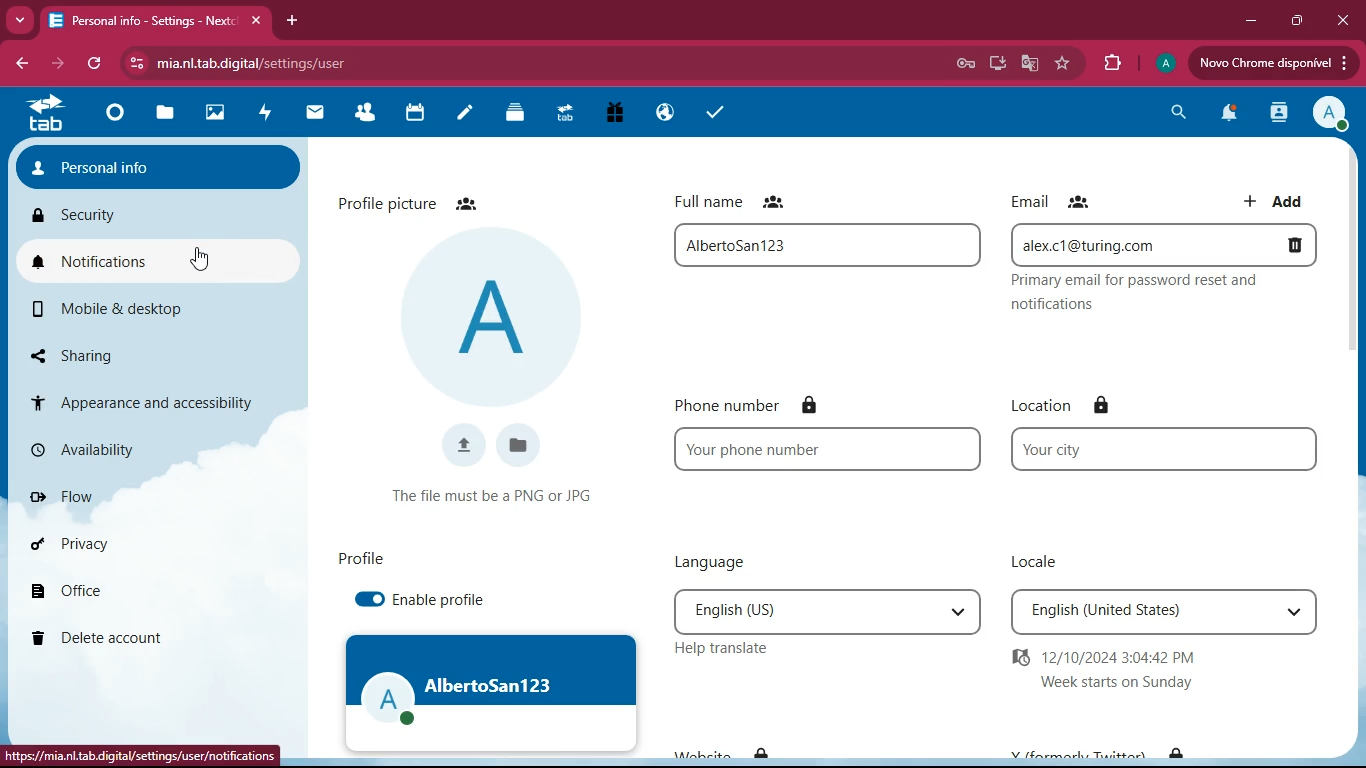  I want to click on appearance, so click(137, 399).